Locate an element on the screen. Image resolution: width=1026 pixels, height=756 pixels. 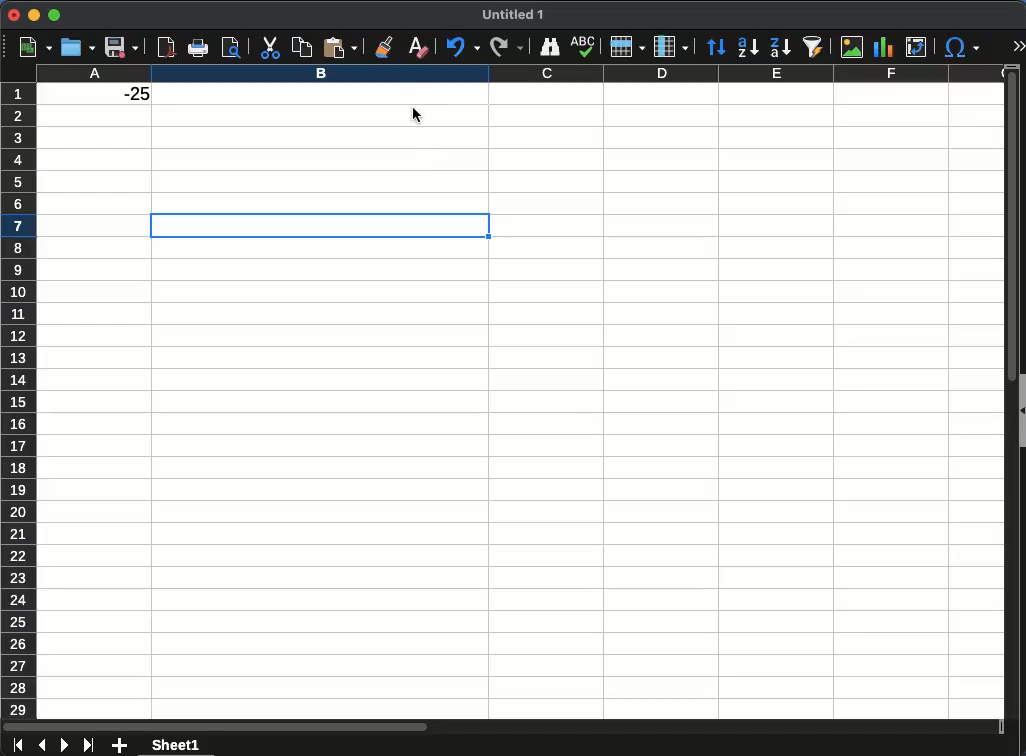
maximize is located at coordinates (55, 15).